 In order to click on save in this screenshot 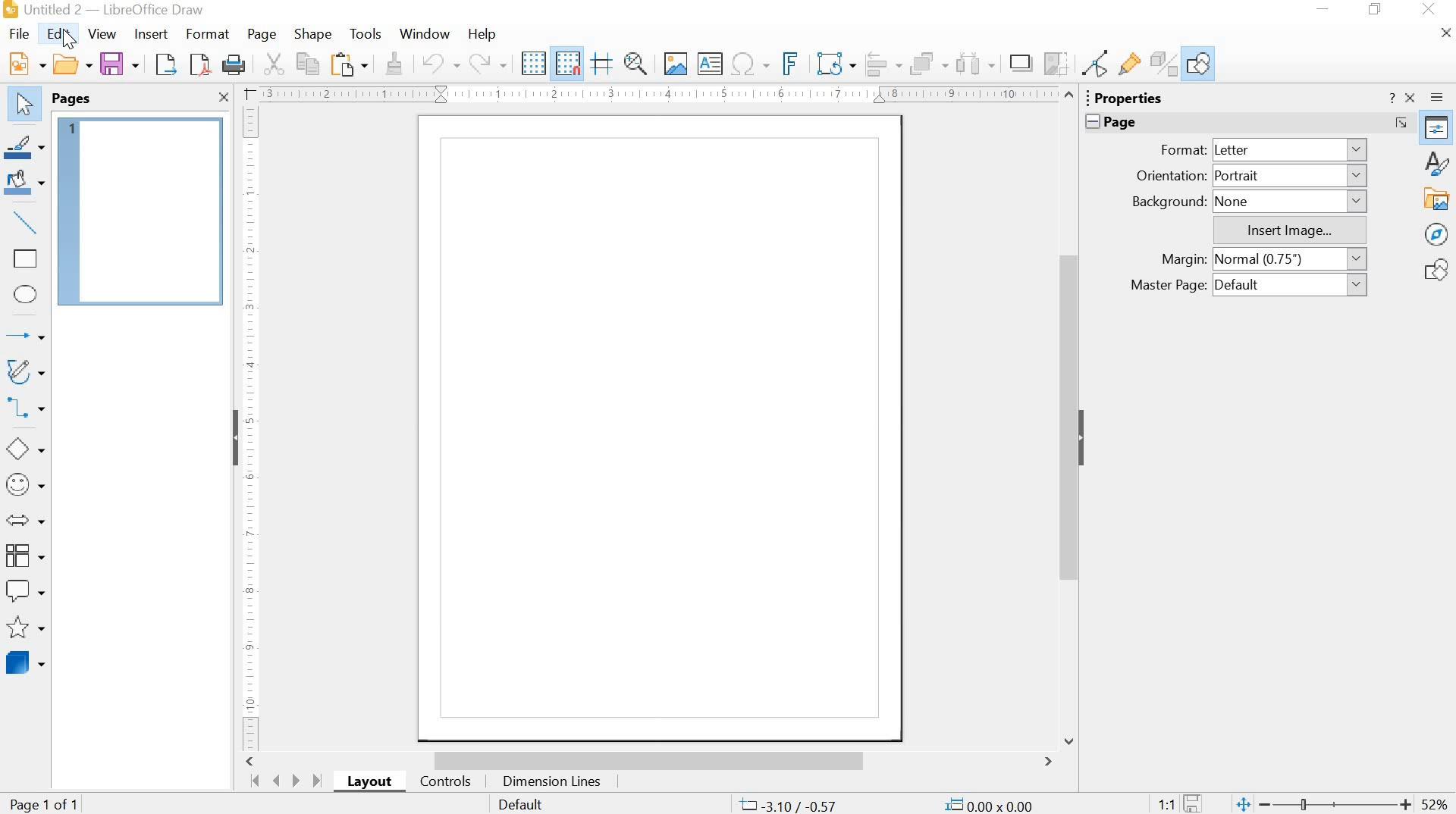, I will do `click(1186, 800)`.